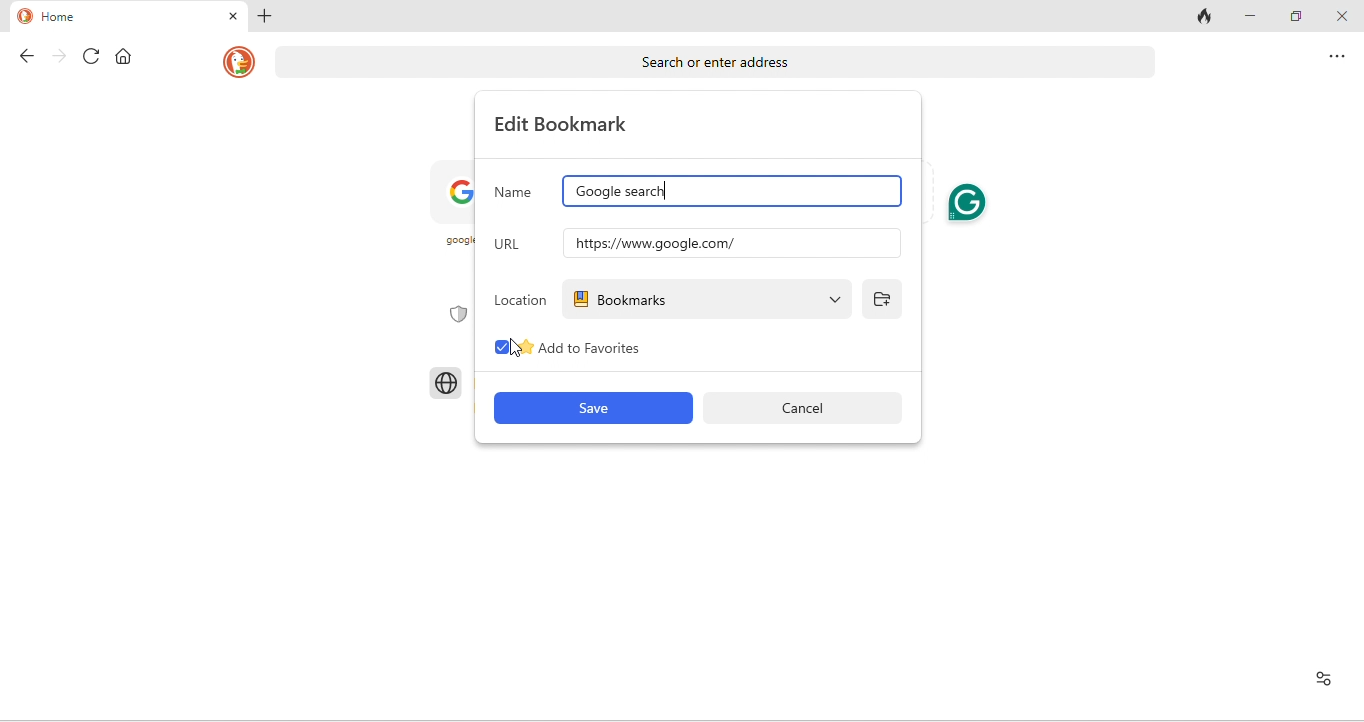  What do you see at coordinates (728, 243) in the screenshot?
I see `https://www.google.com/` at bounding box center [728, 243].